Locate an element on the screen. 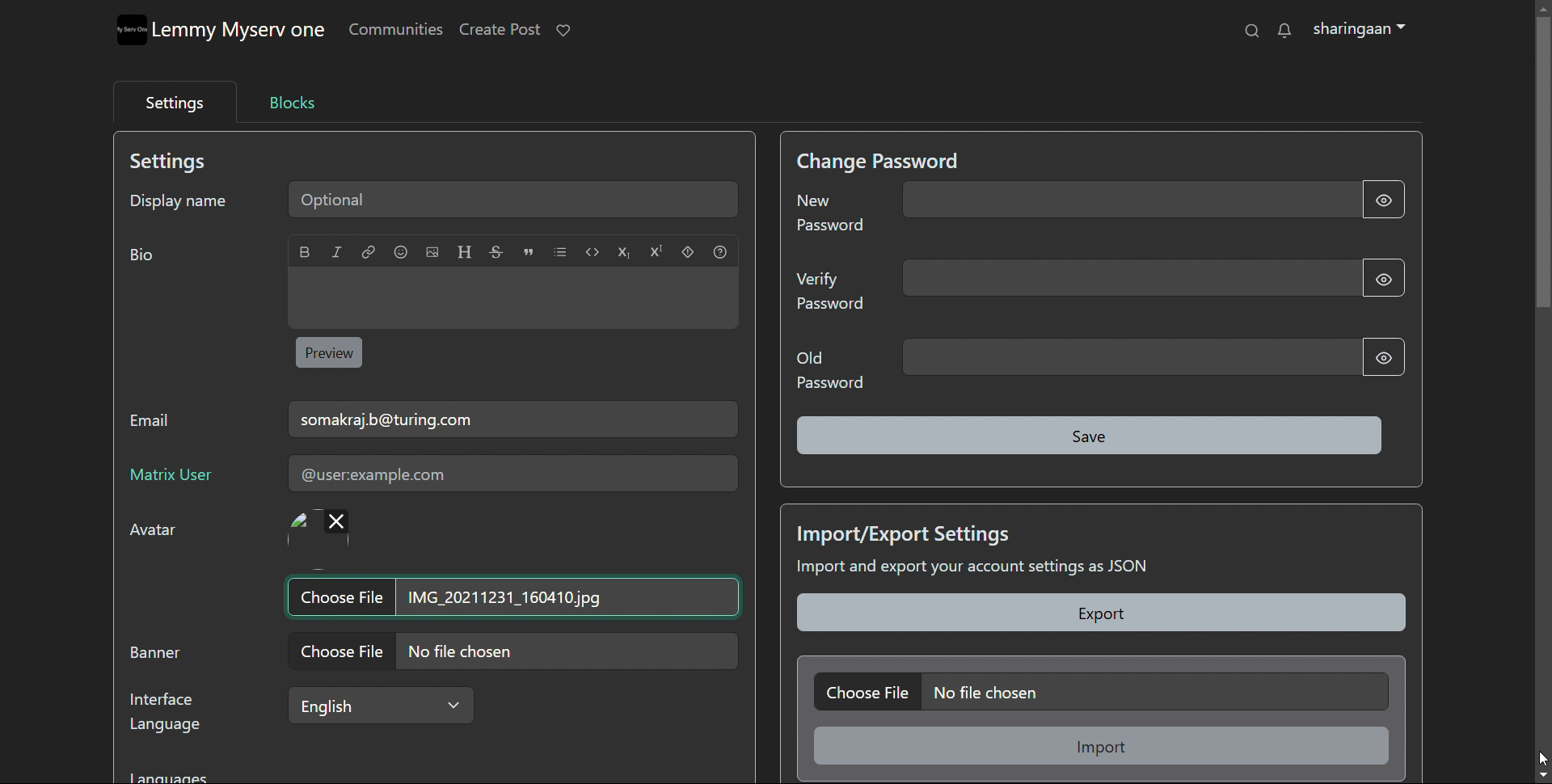  italic is located at coordinates (335, 251).